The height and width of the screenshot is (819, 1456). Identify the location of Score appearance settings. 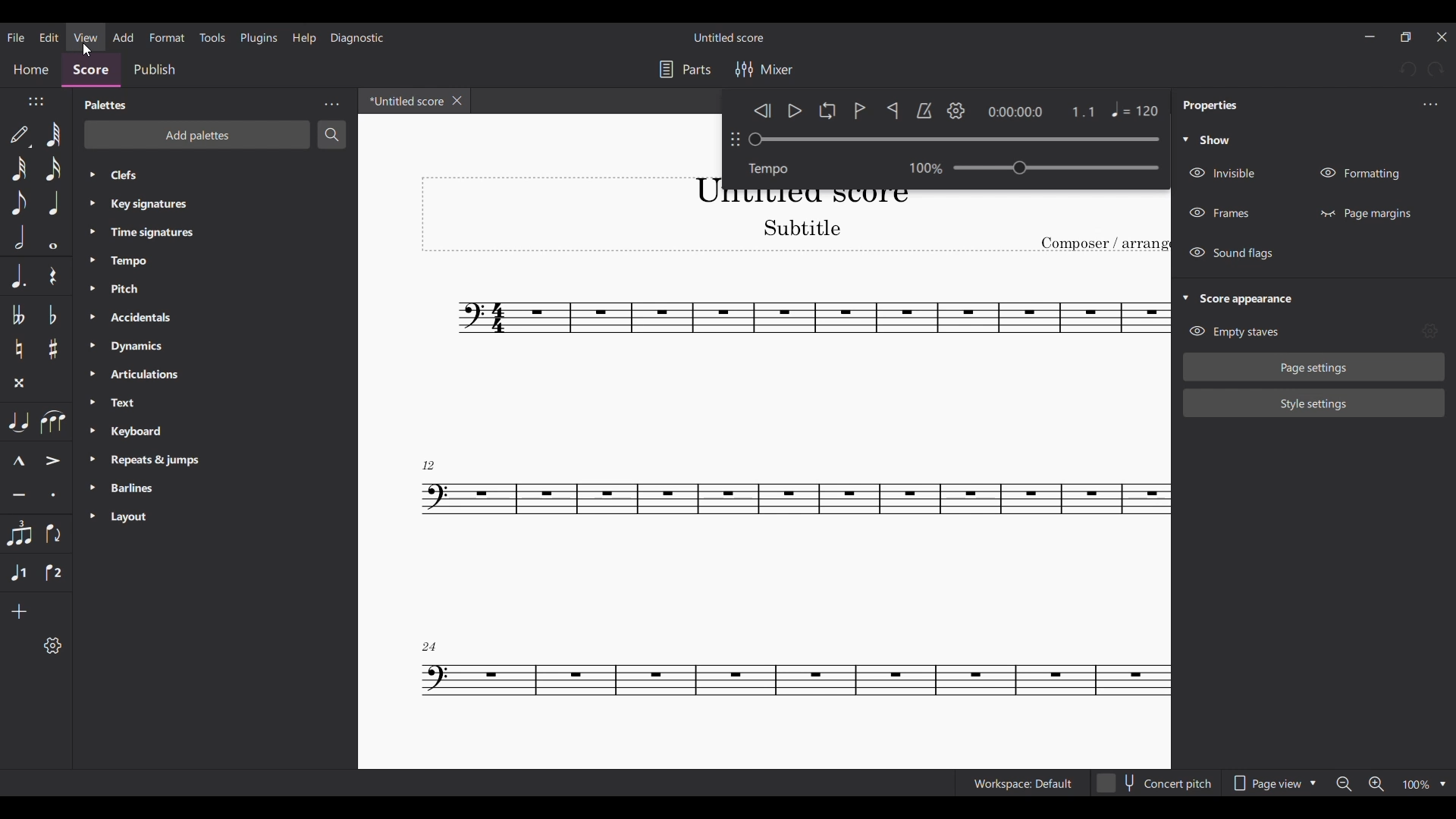
(1429, 330).